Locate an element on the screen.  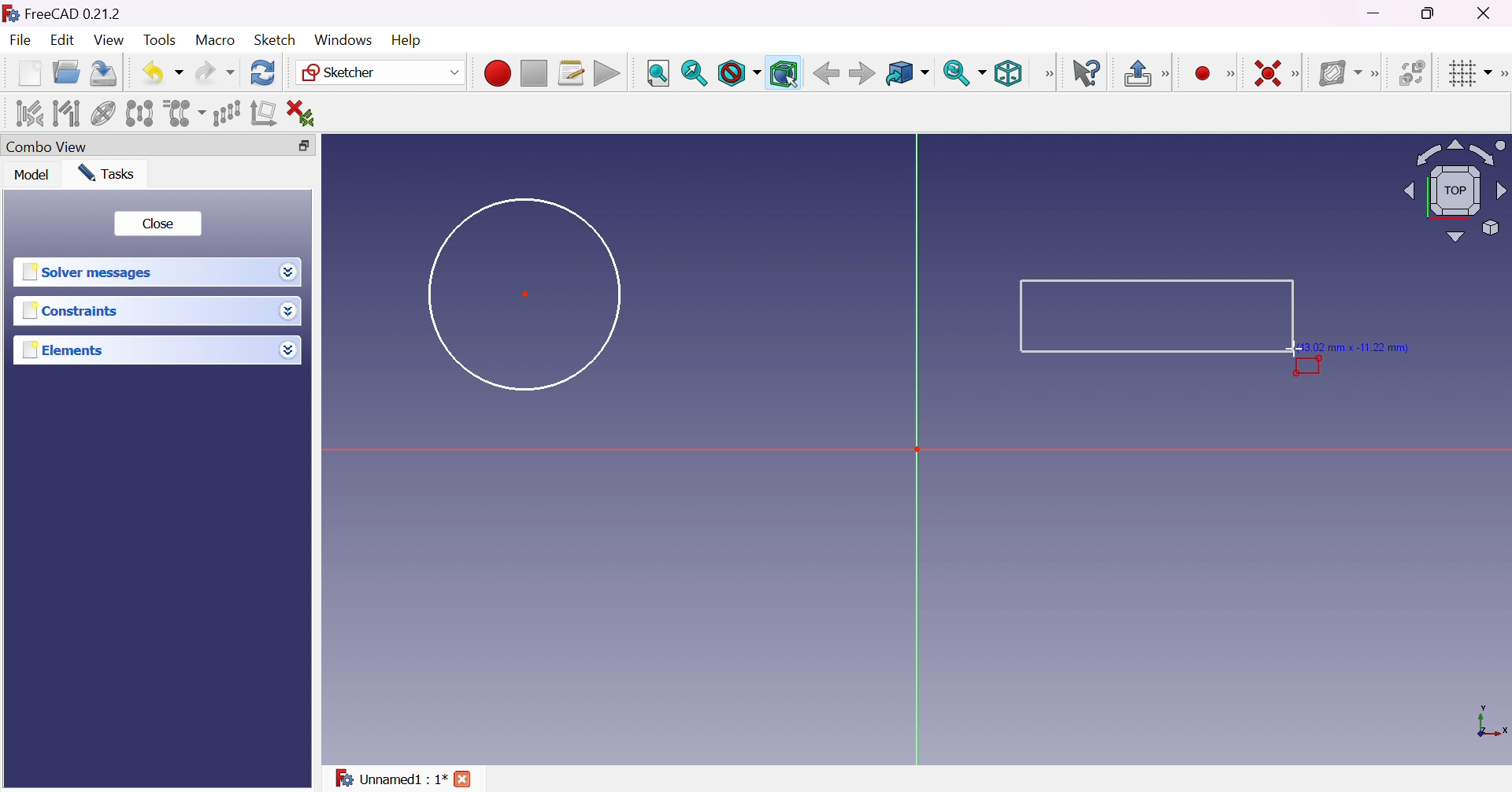
Macros is located at coordinates (572, 73).